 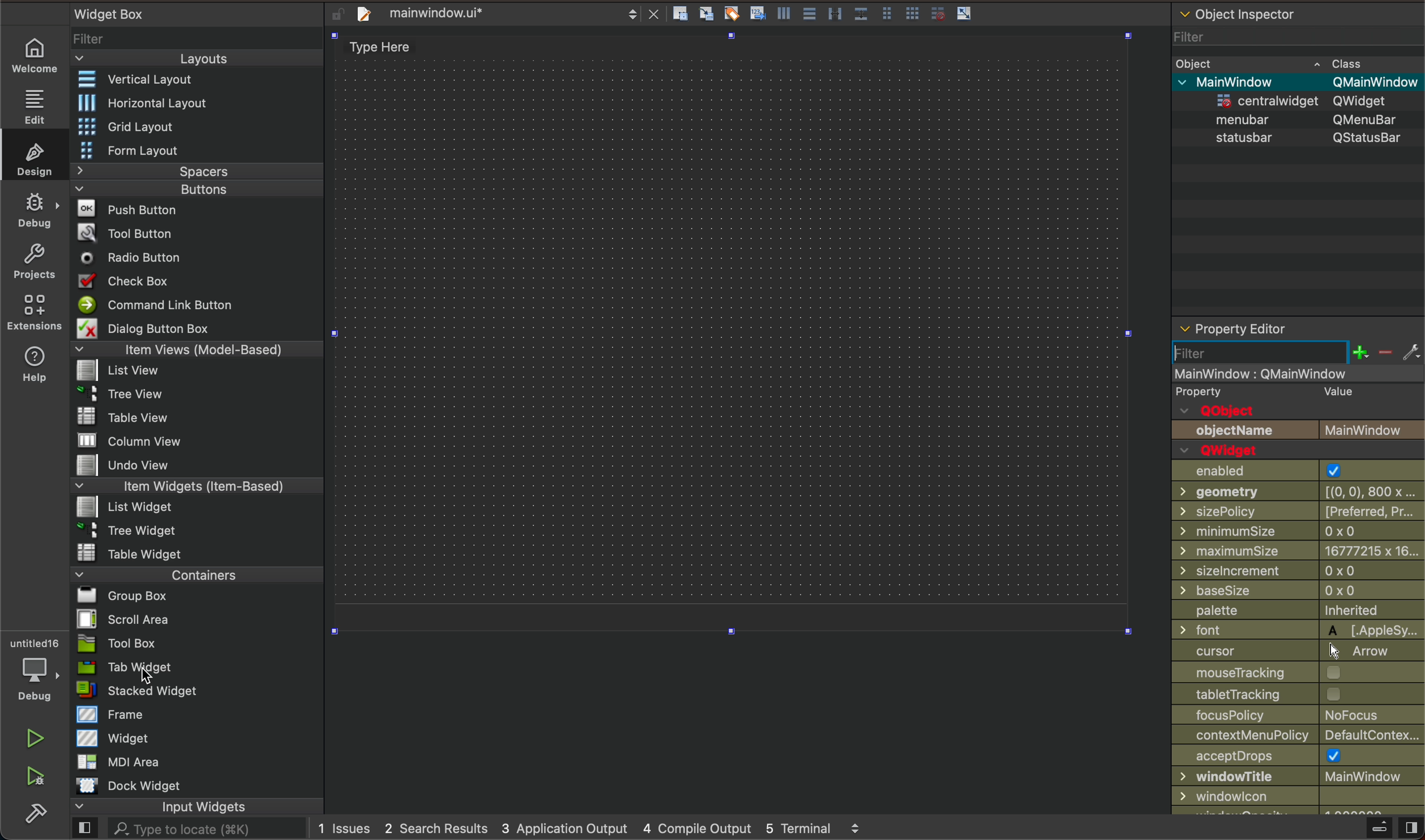 What do you see at coordinates (198, 486) in the screenshot?
I see `Item Widgets (Item-Based)` at bounding box center [198, 486].